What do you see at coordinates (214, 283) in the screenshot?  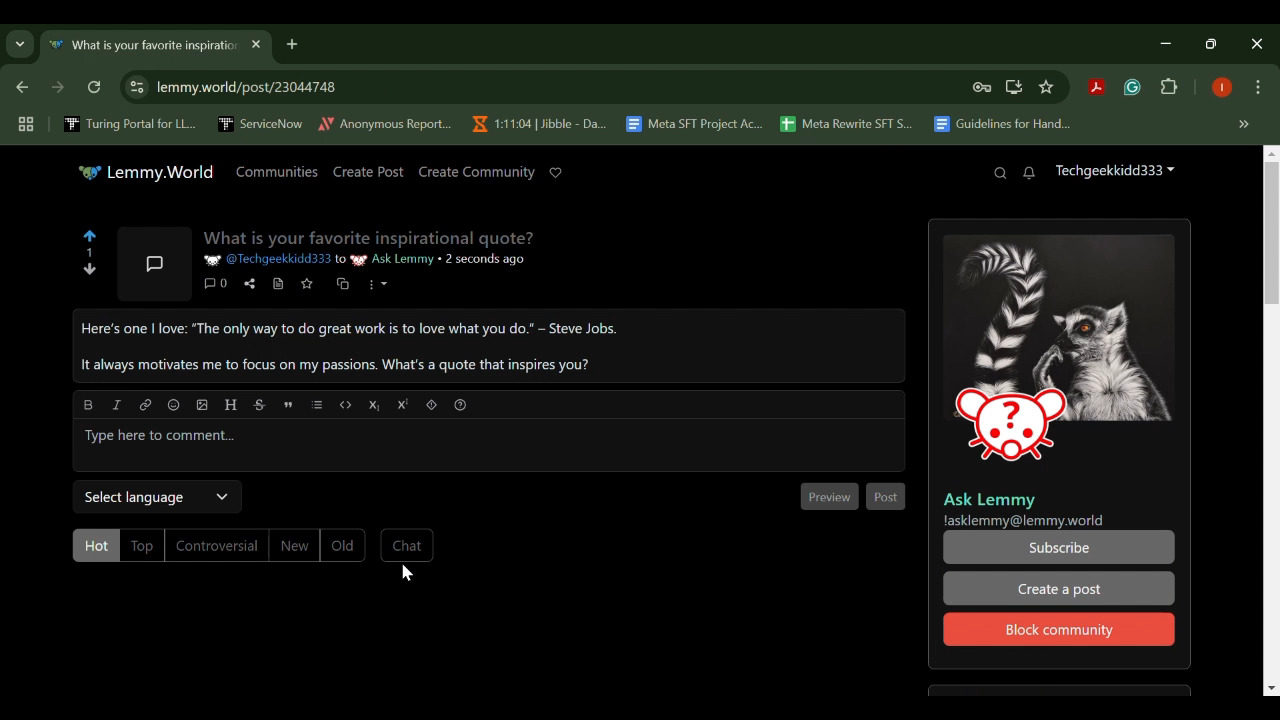 I see `Comment Counter` at bounding box center [214, 283].